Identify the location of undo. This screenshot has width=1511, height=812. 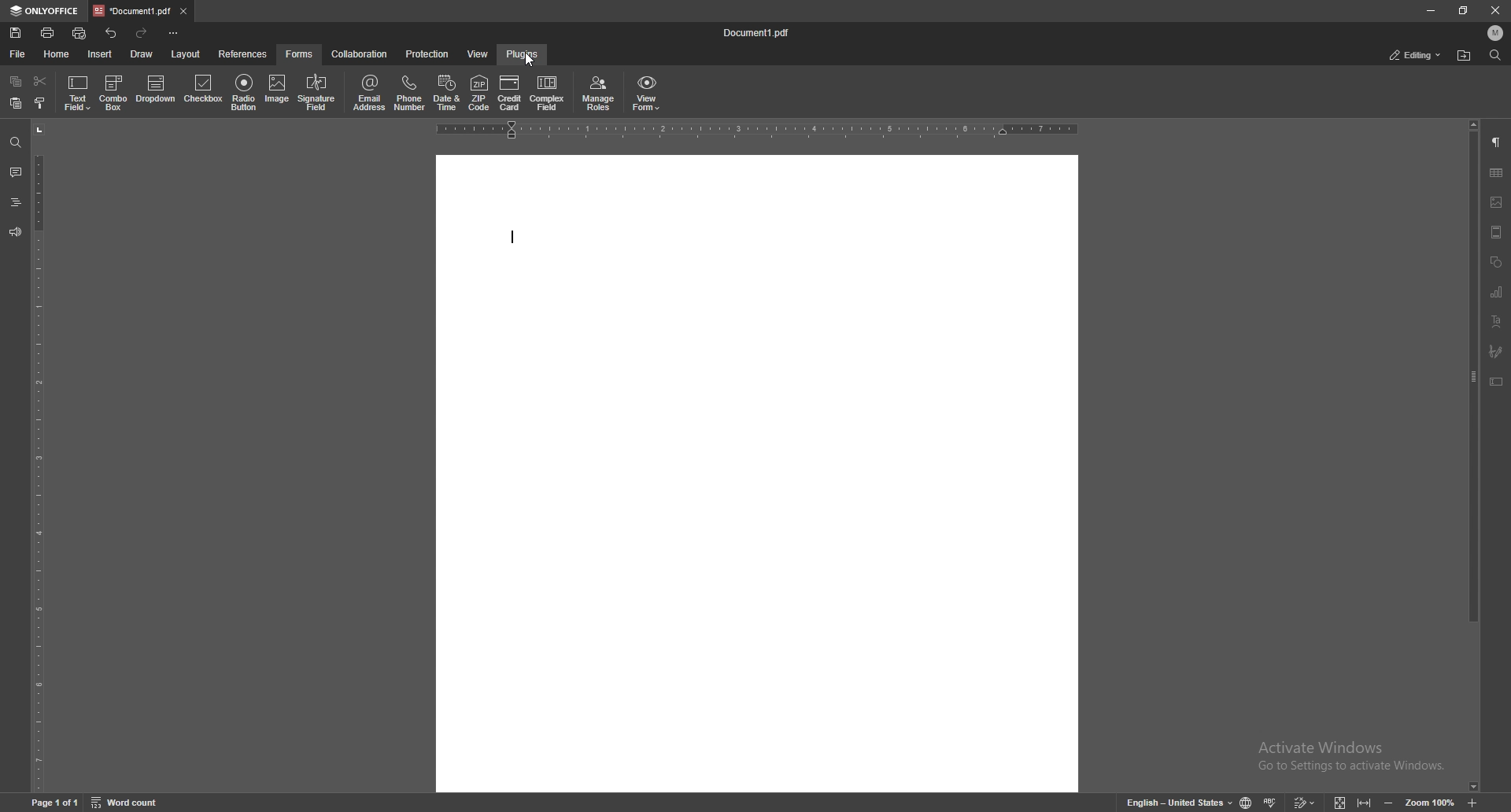
(113, 32).